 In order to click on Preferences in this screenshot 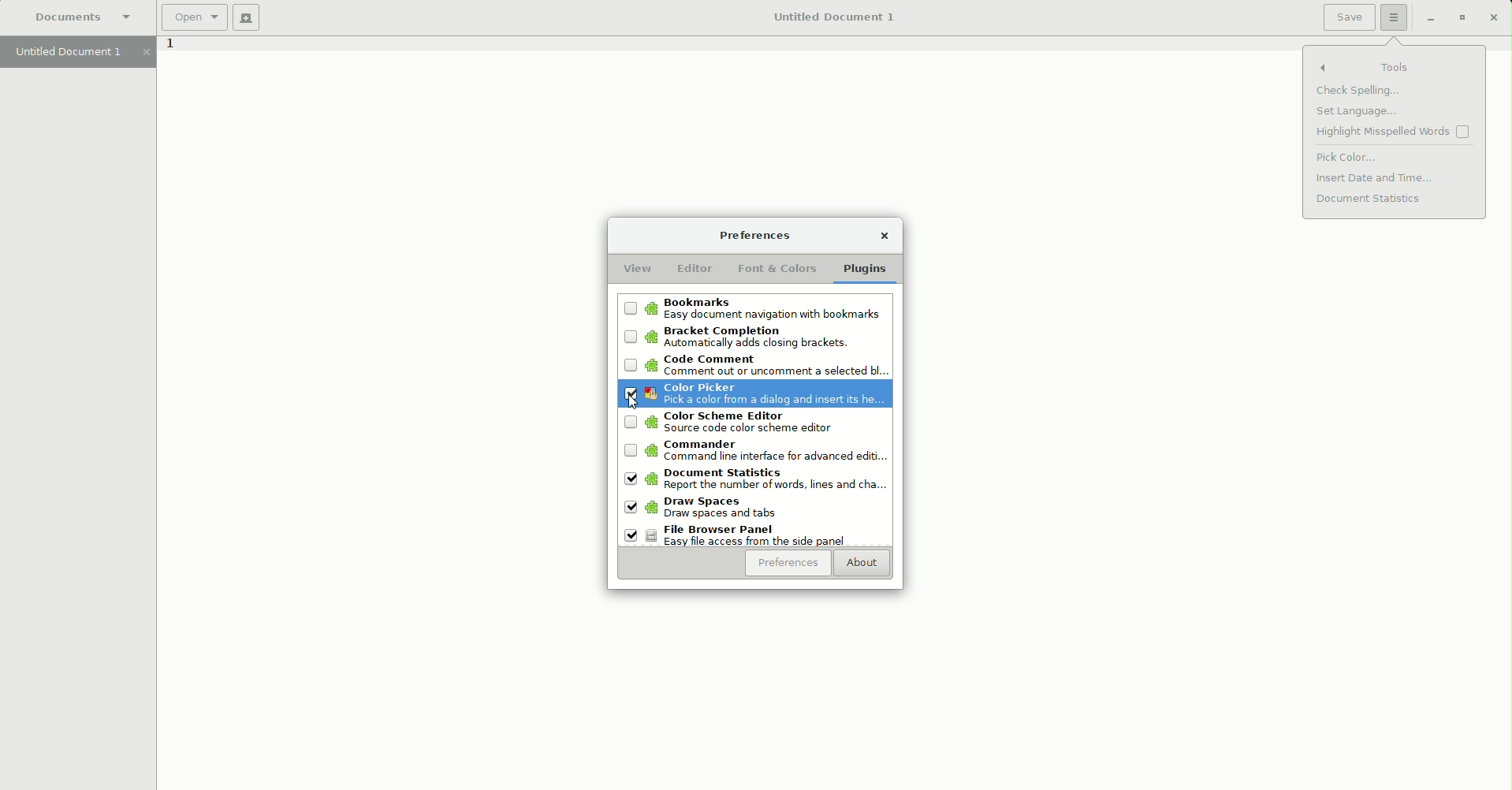, I will do `click(754, 235)`.